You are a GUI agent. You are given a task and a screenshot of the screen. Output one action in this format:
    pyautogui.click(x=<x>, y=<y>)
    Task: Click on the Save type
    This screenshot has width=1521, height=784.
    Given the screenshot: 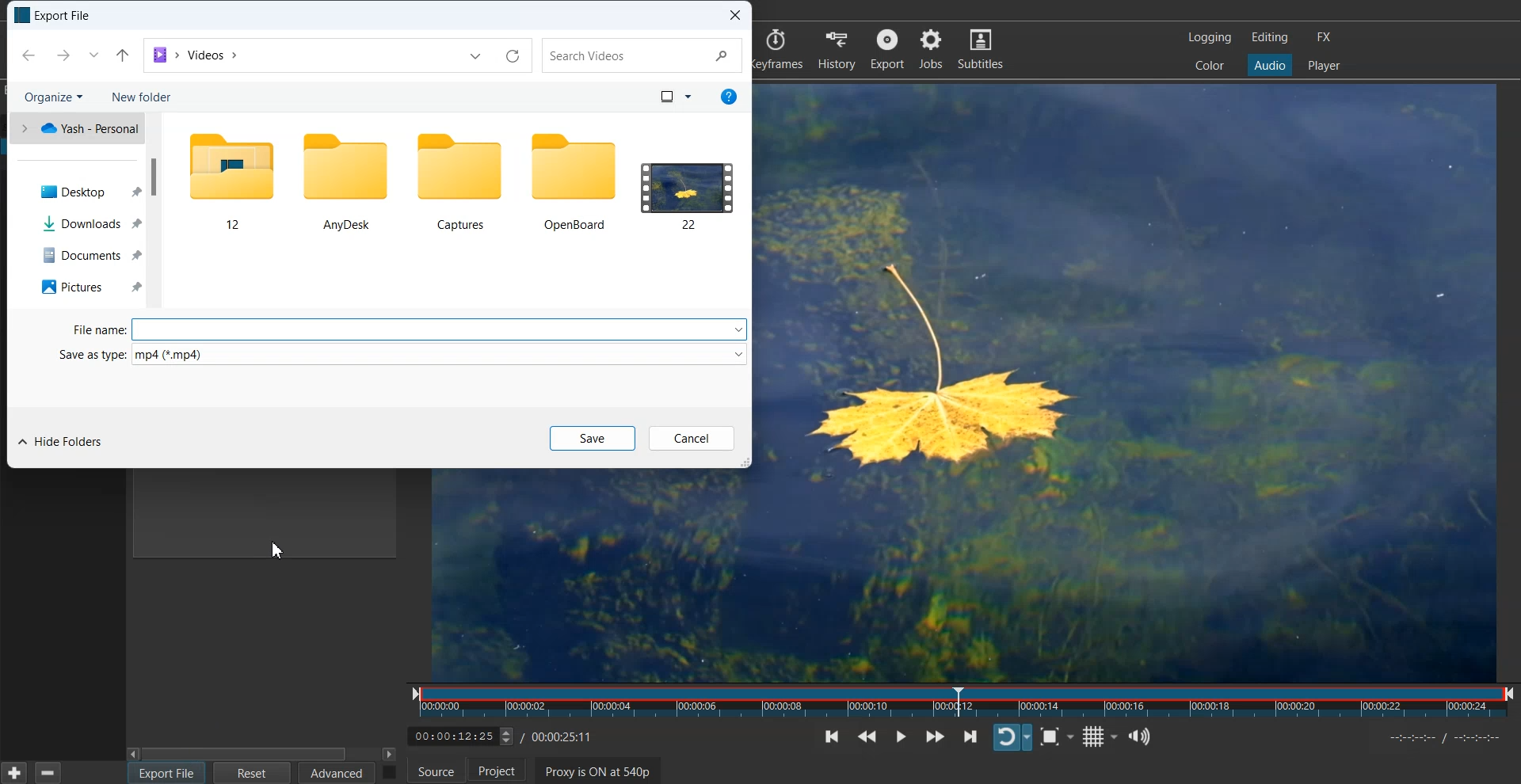 What is the action you would take?
    pyautogui.click(x=396, y=352)
    